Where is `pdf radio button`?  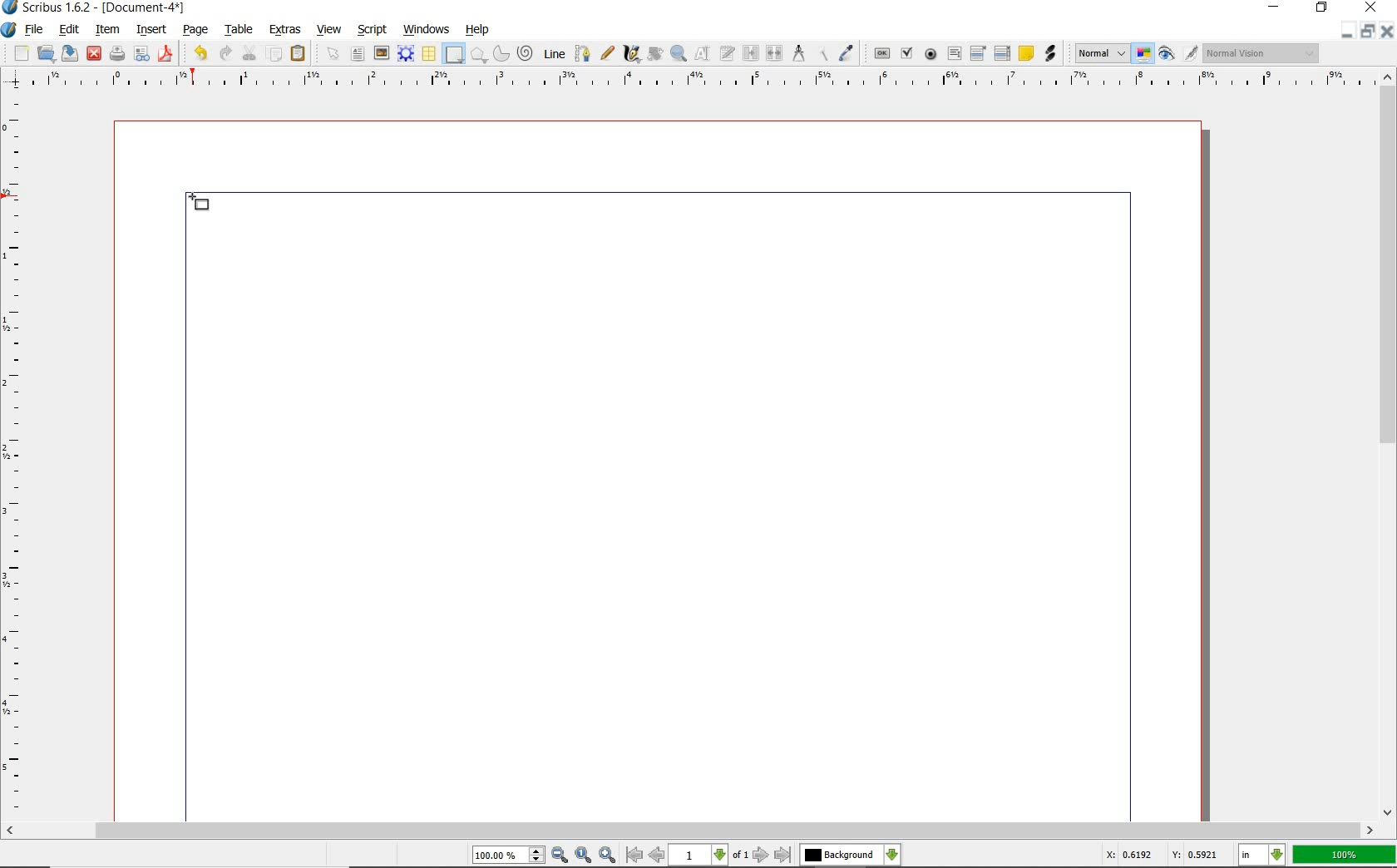
pdf radio button is located at coordinates (929, 55).